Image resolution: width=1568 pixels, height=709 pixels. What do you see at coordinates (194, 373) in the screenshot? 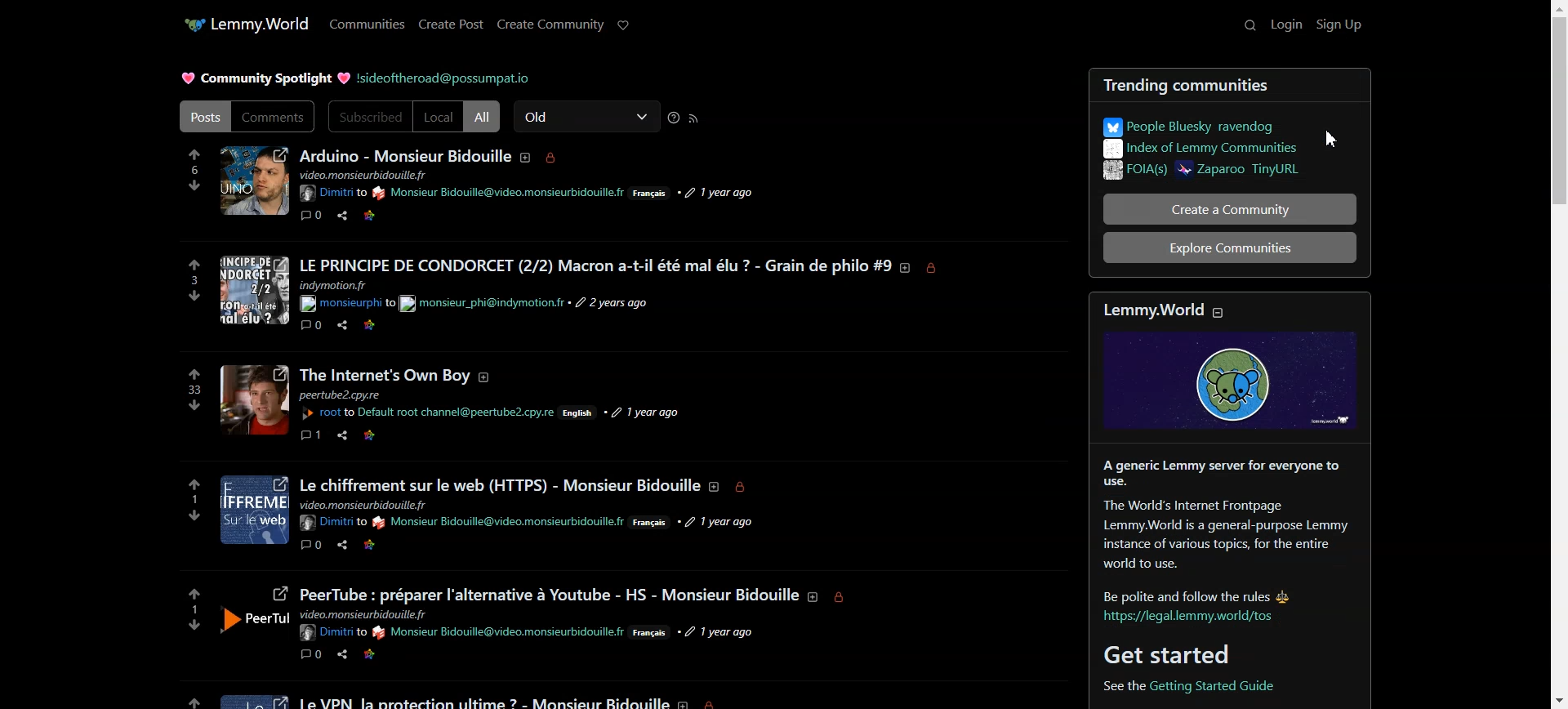
I see `upvotes` at bounding box center [194, 373].